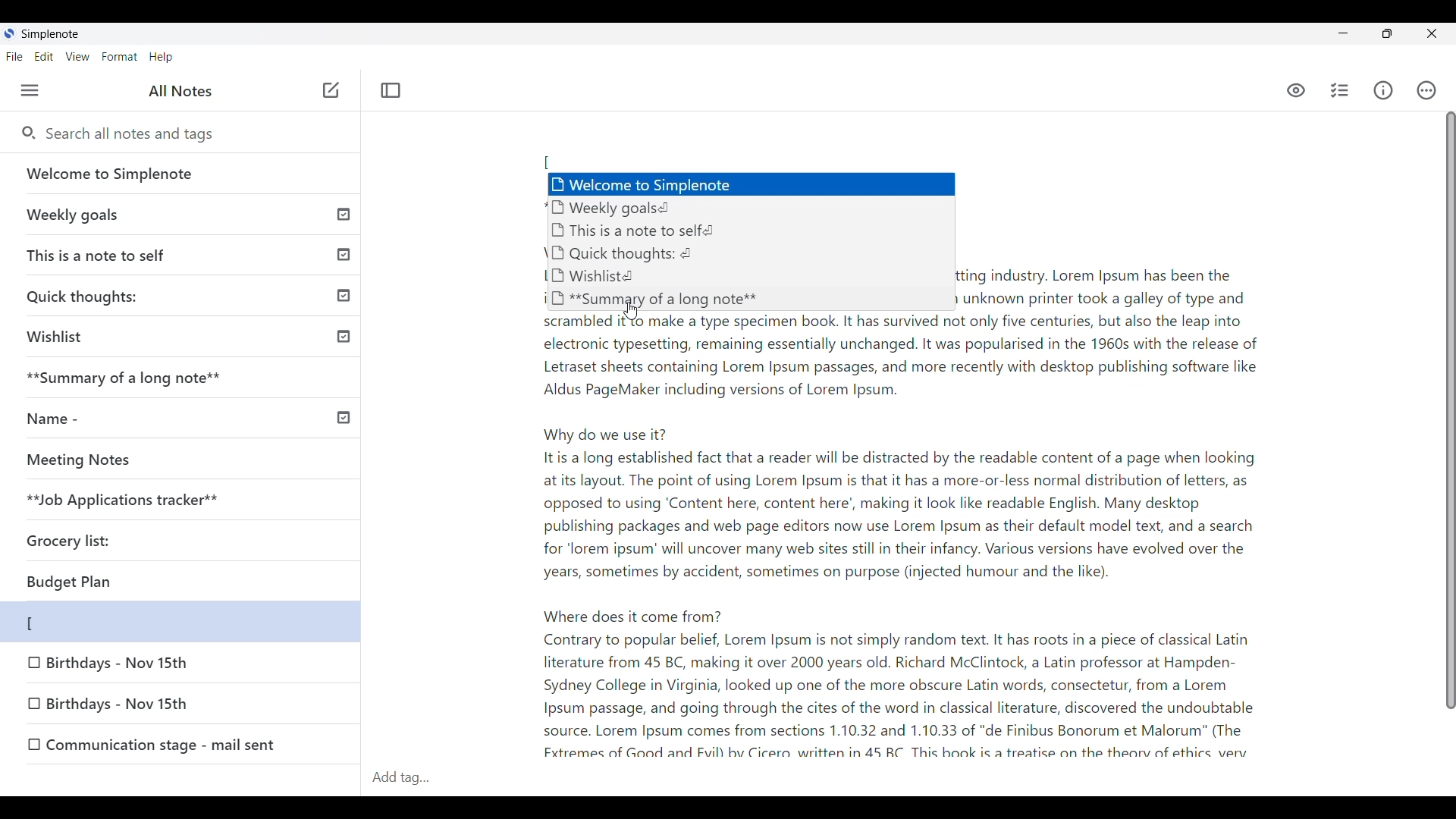  I want to click on Meeting notes, so click(154, 460).